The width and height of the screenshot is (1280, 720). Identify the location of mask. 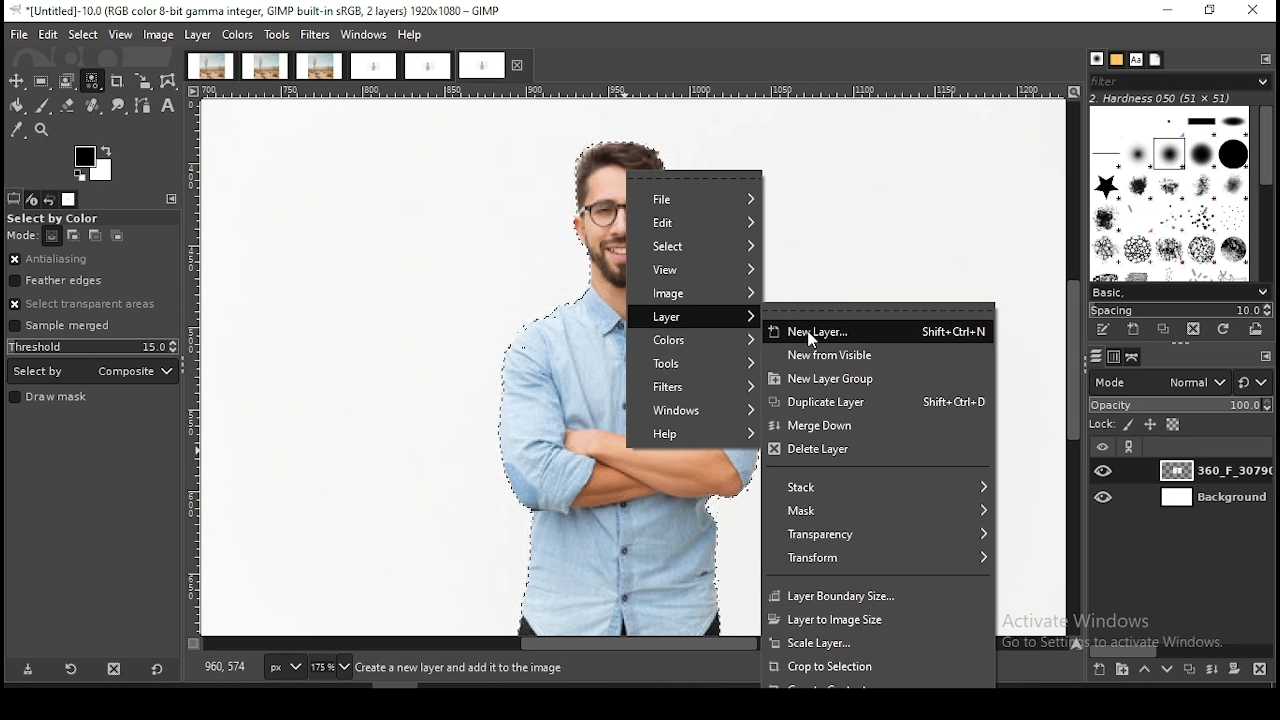
(879, 512).